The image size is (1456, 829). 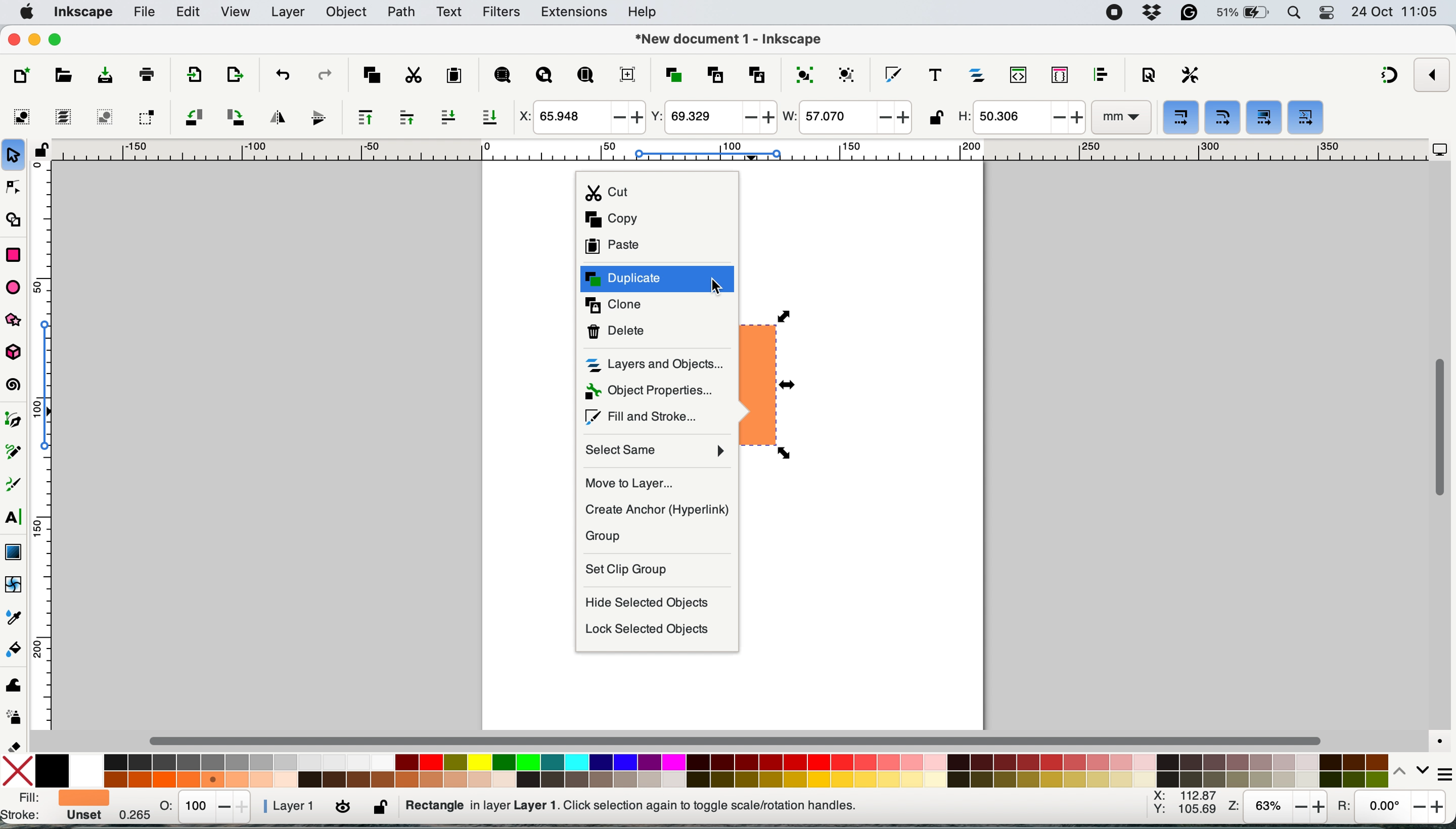 What do you see at coordinates (20, 769) in the screenshot?
I see `no fill` at bounding box center [20, 769].